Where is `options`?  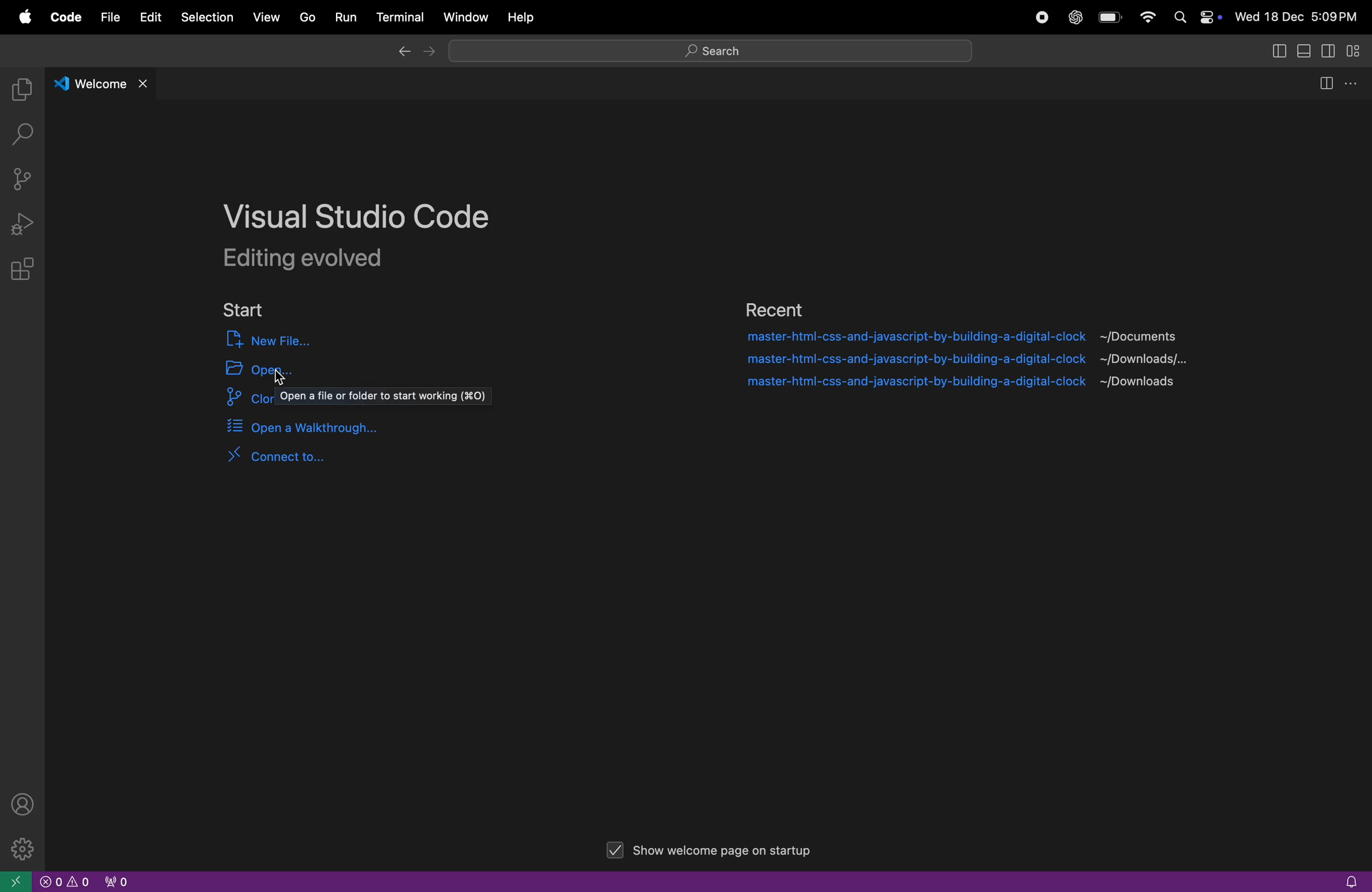
options is located at coordinates (1354, 84).